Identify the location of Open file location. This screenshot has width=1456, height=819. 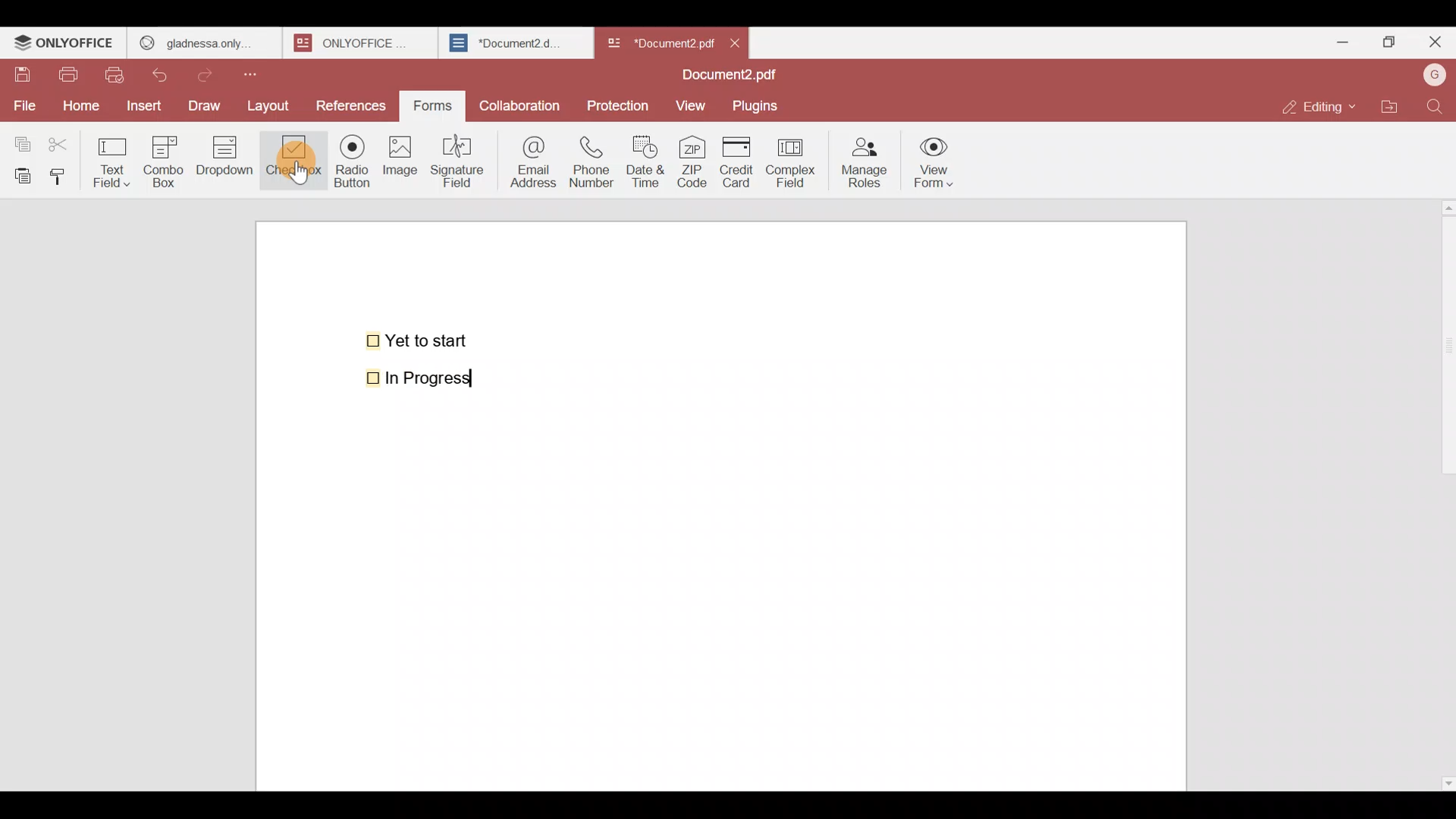
(1389, 105).